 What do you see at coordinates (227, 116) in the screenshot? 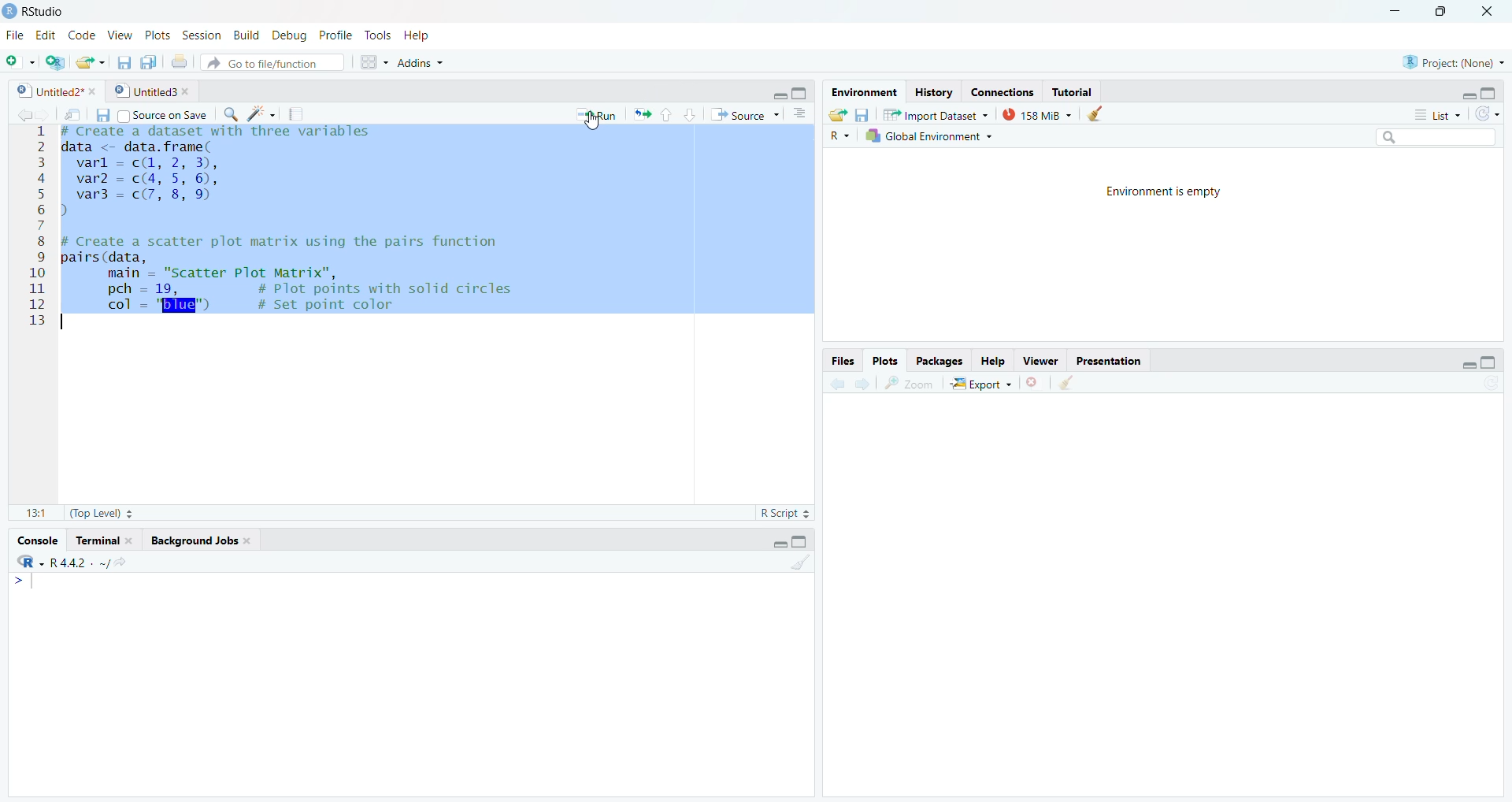
I see `Find replace` at bounding box center [227, 116].